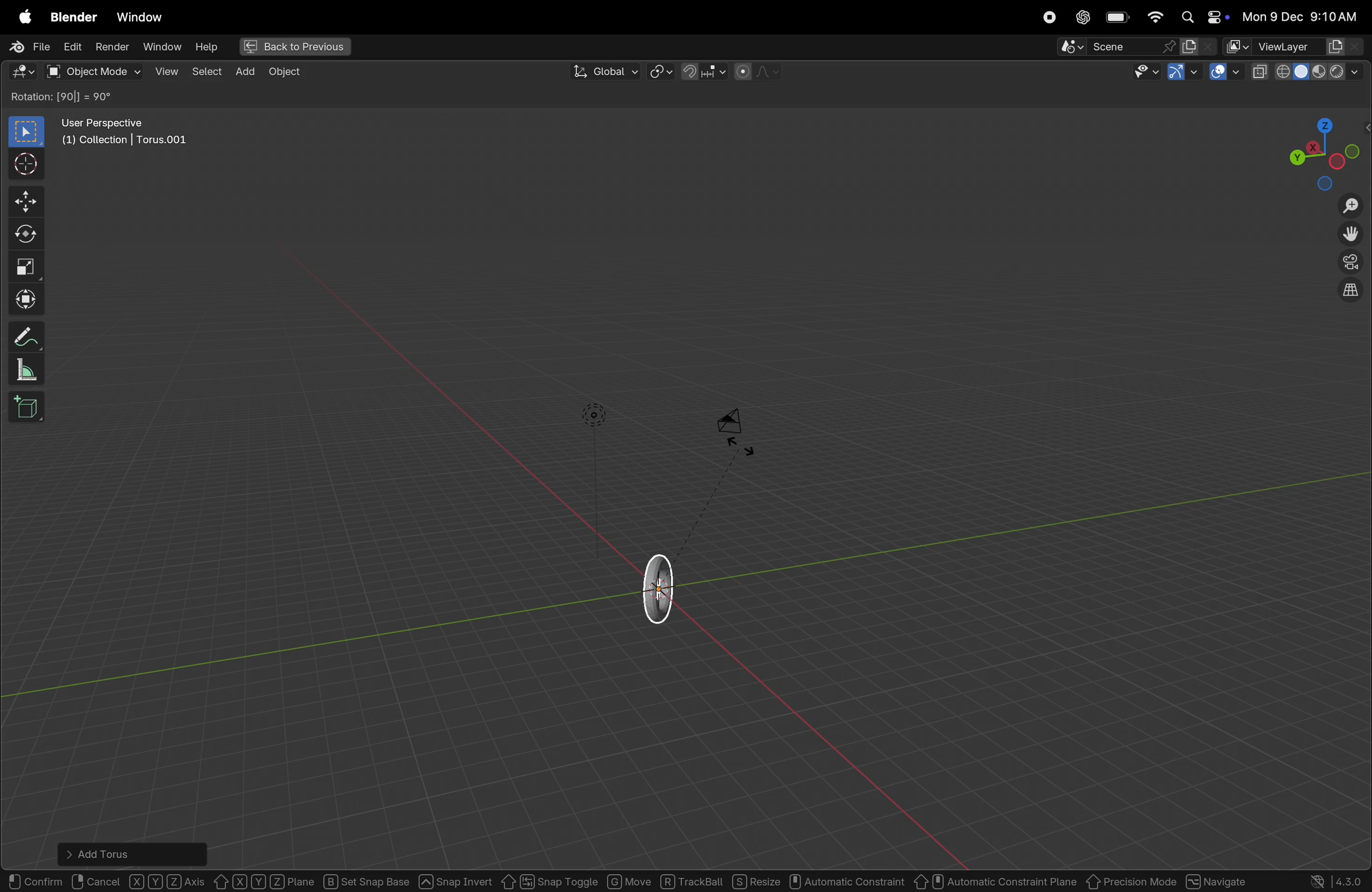 The width and height of the screenshot is (1372, 892). Describe the element at coordinates (1143, 73) in the screenshot. I see `visibility` at that location.